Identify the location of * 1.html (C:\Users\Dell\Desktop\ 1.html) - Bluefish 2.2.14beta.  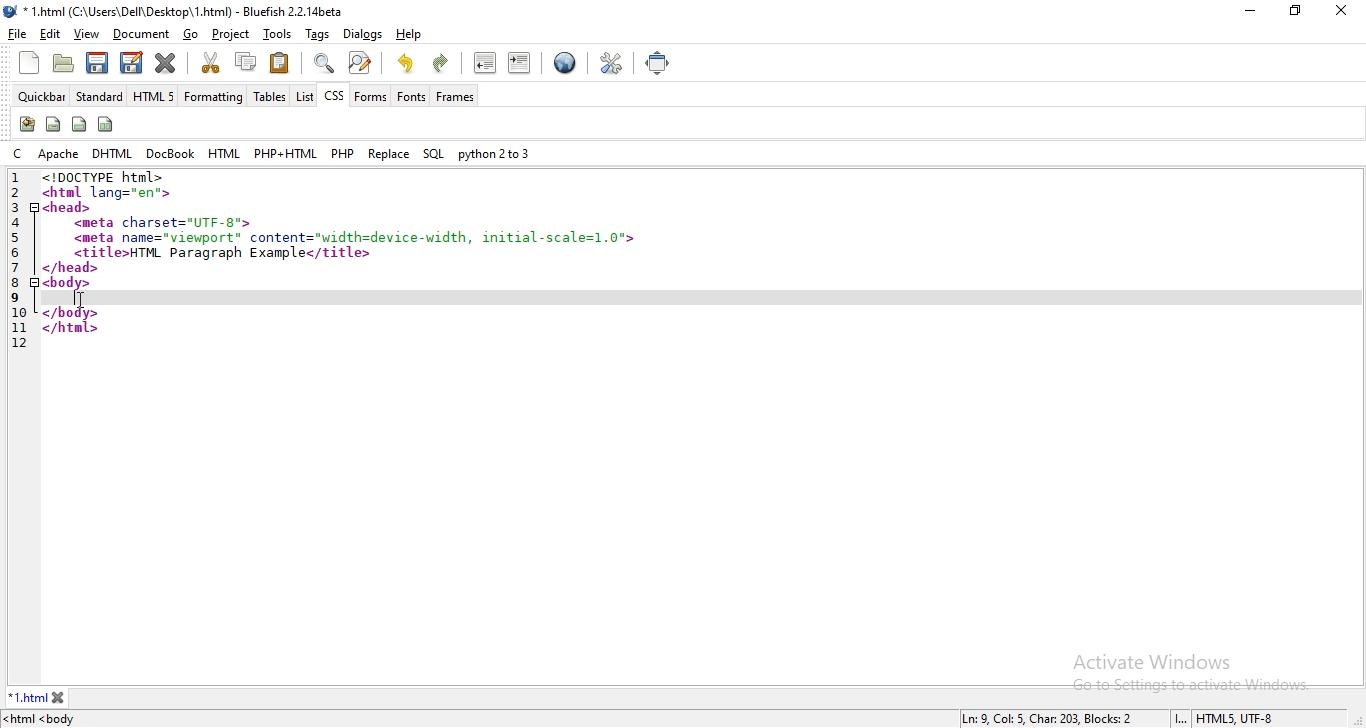
(186, 12).